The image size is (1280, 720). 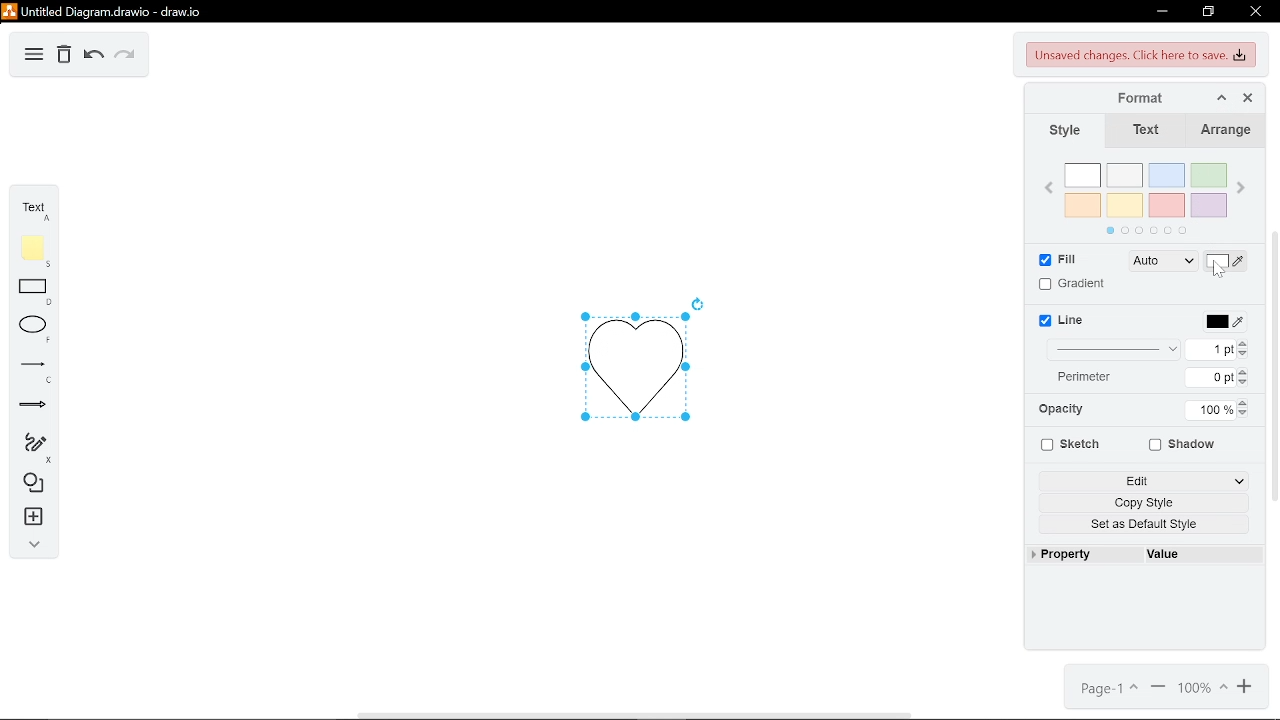 I want to click on line, so click(x=1064, y=322).